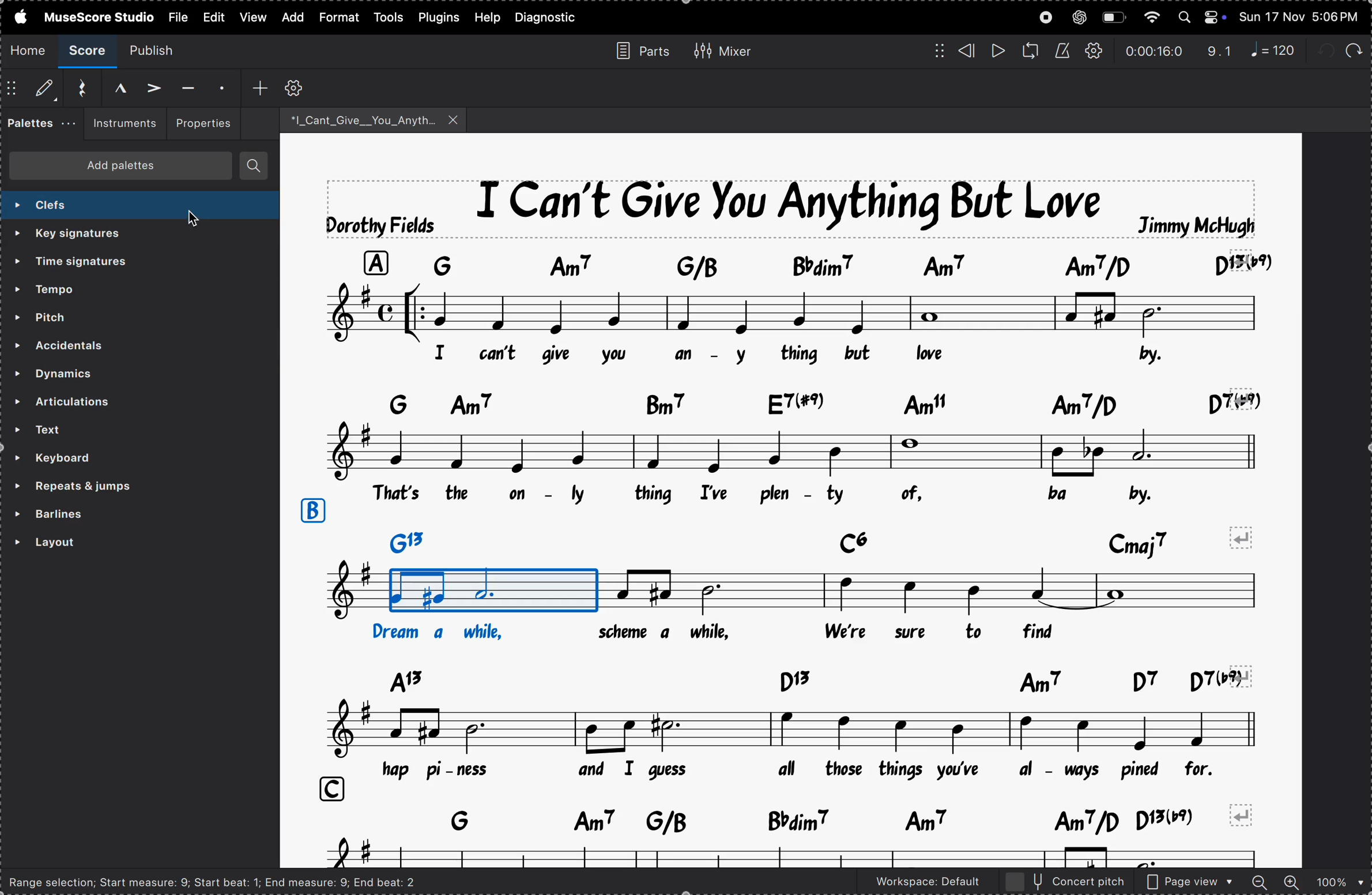  I want to click on tools, so click(390, 17).